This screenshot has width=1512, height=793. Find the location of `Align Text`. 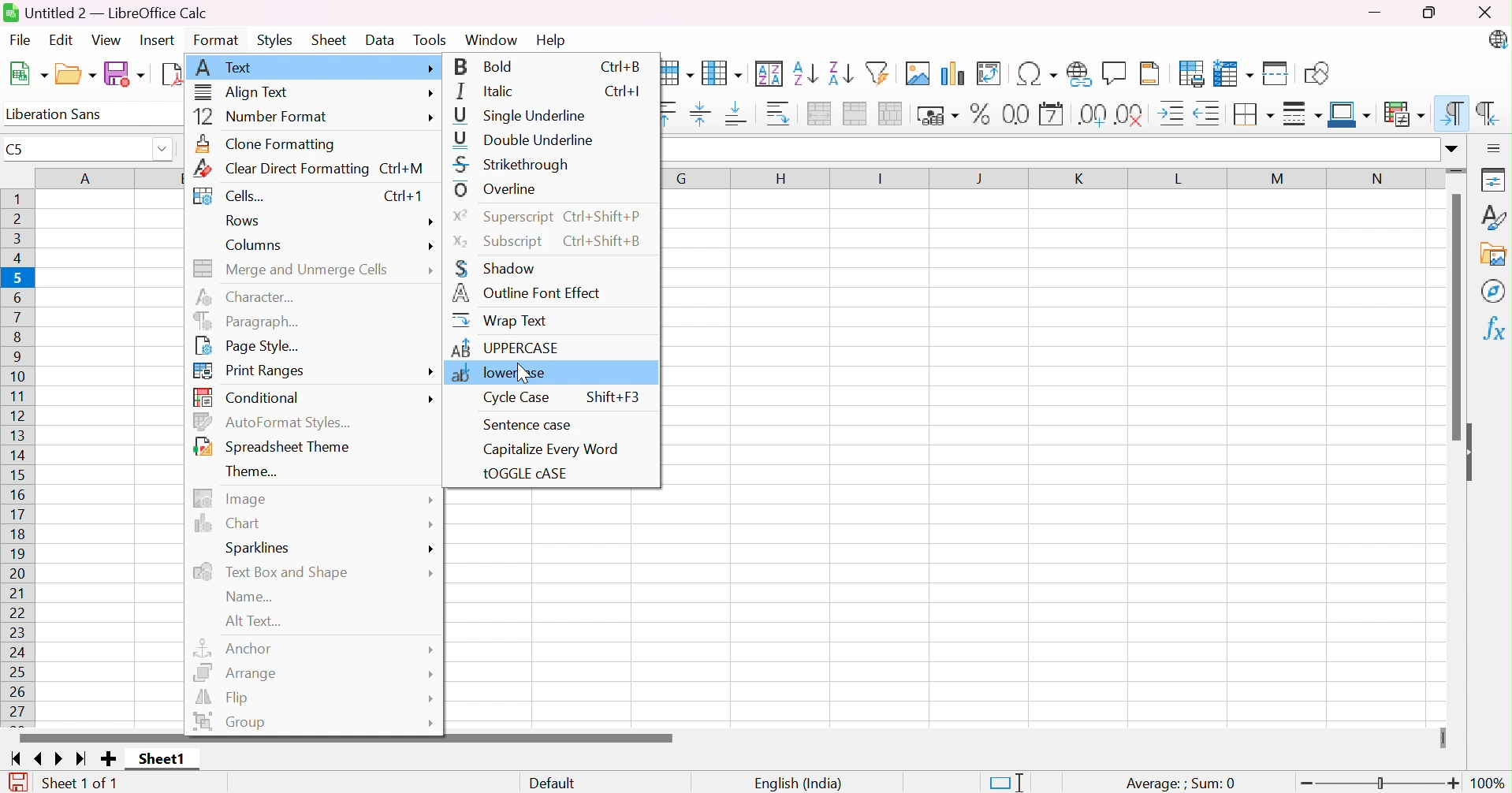

Align Text is located at coordinates (243, 93).